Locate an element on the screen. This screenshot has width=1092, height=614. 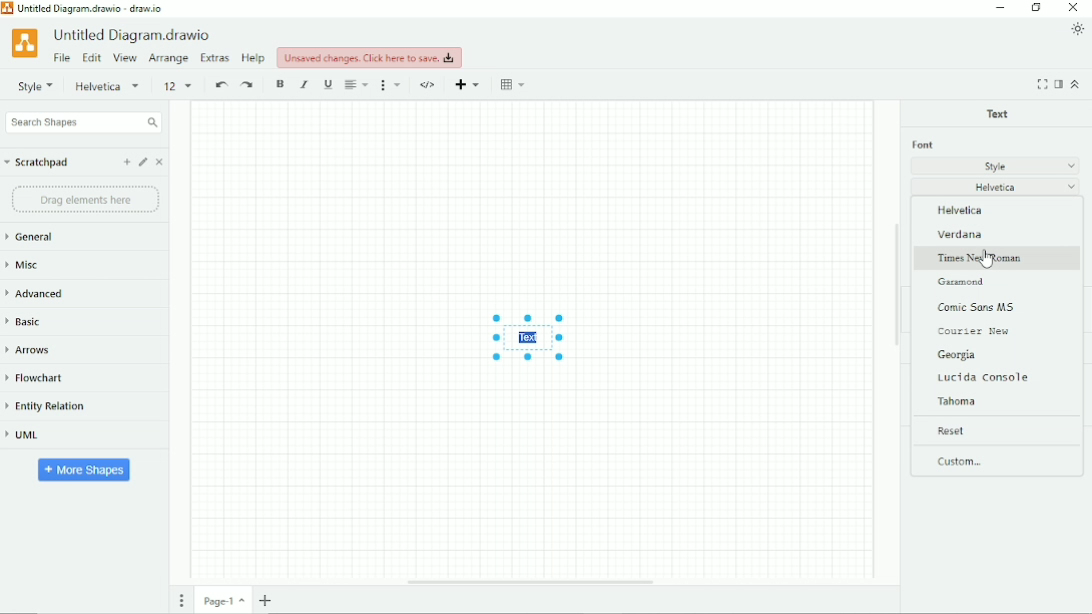
Fullscreen is located at coordinates (1042, 84).